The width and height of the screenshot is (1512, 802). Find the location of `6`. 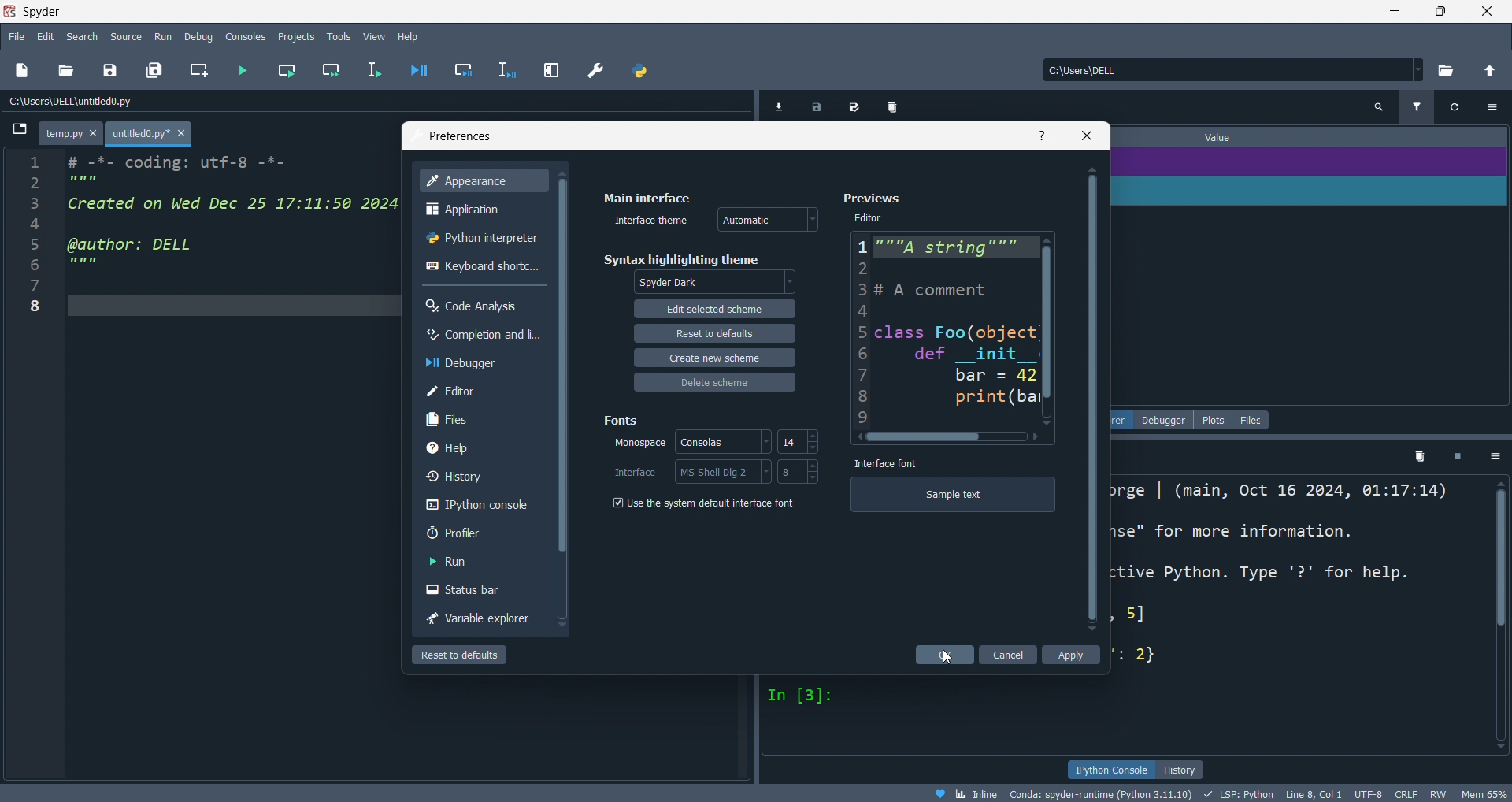

6 is located at coordinates (72, 266).